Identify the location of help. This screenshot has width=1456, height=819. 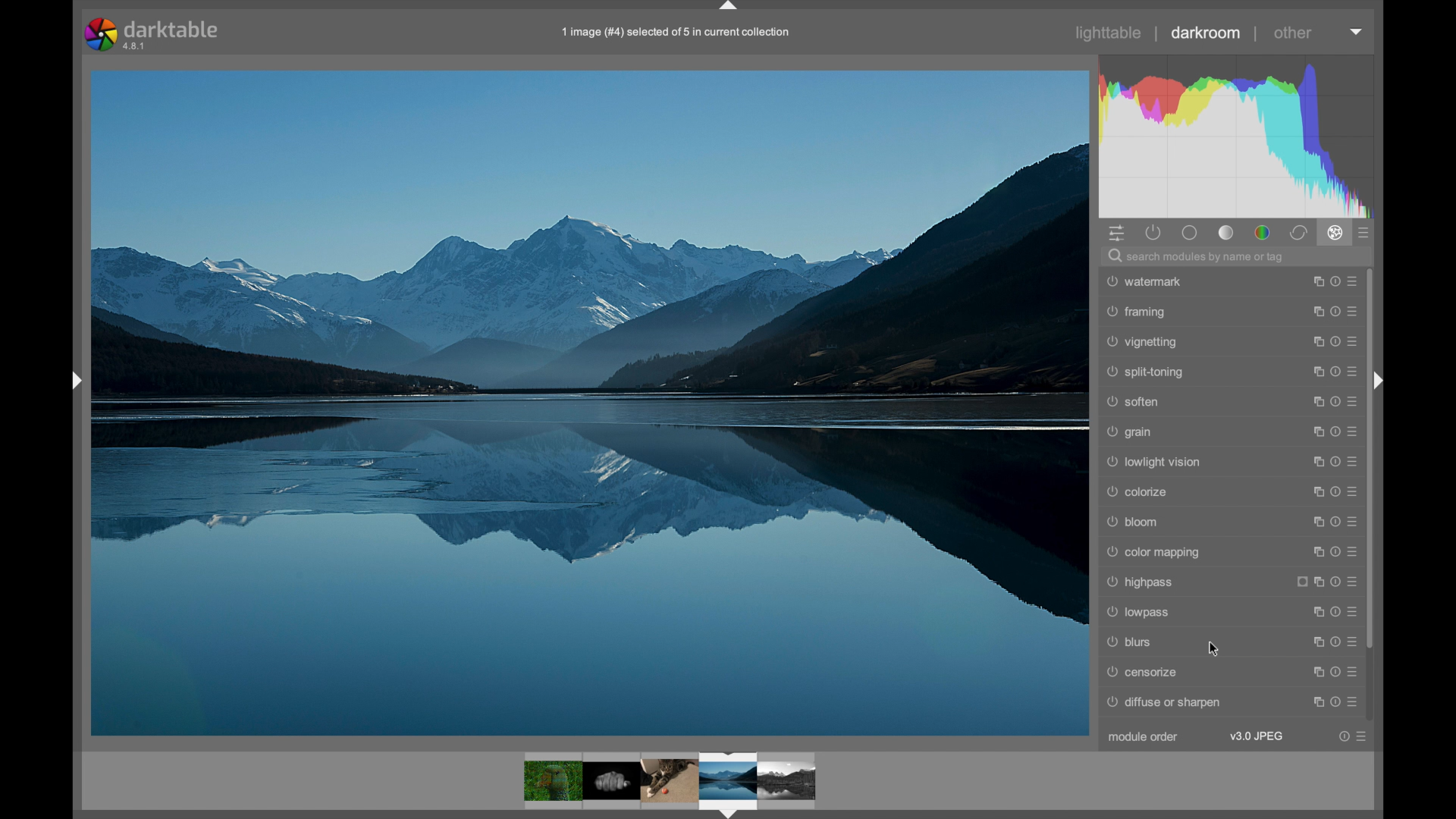
(1333, 431).